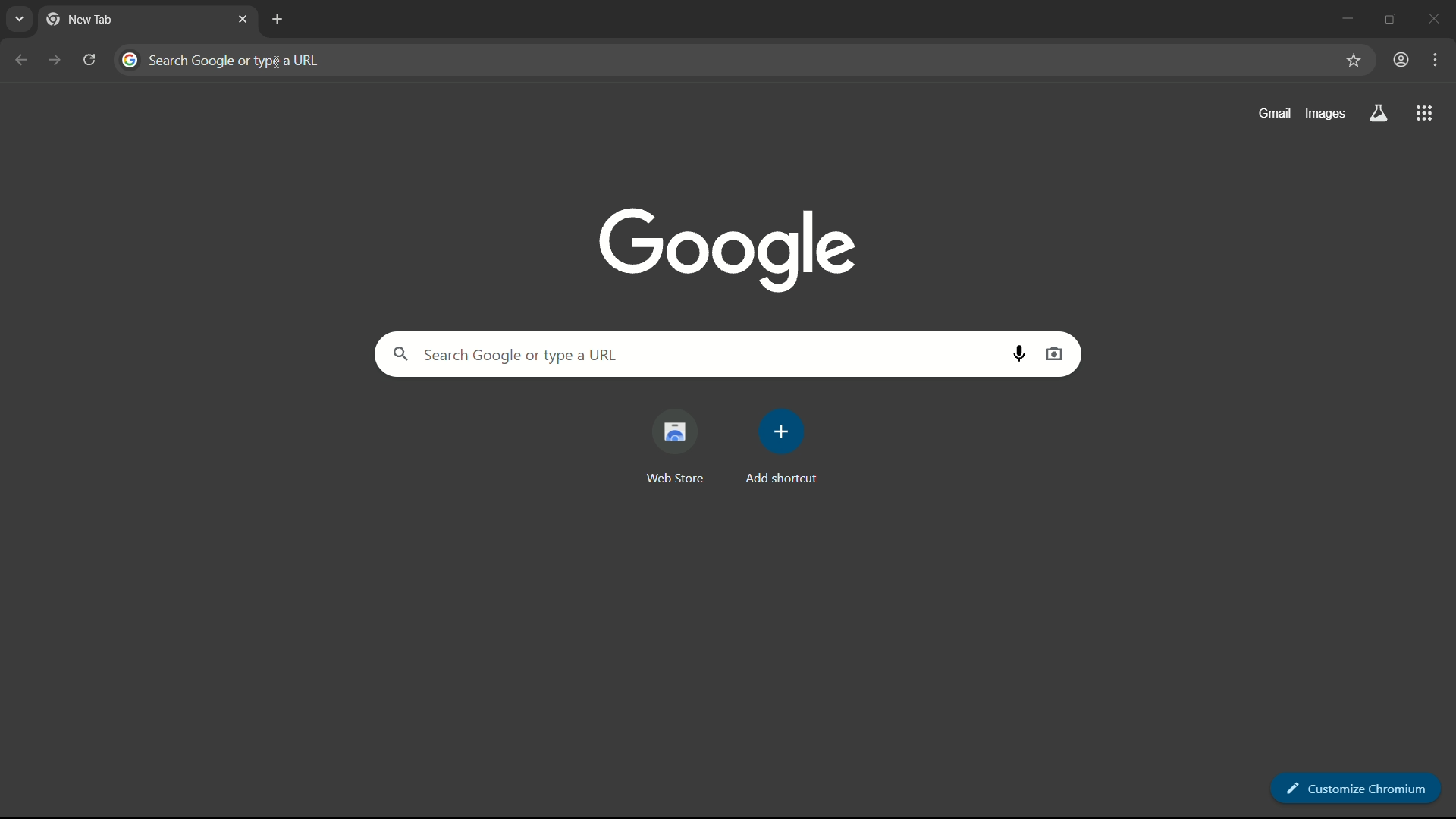  Describe the element at coordinates (734, 250) in the screenshot. I see `google` at that location.